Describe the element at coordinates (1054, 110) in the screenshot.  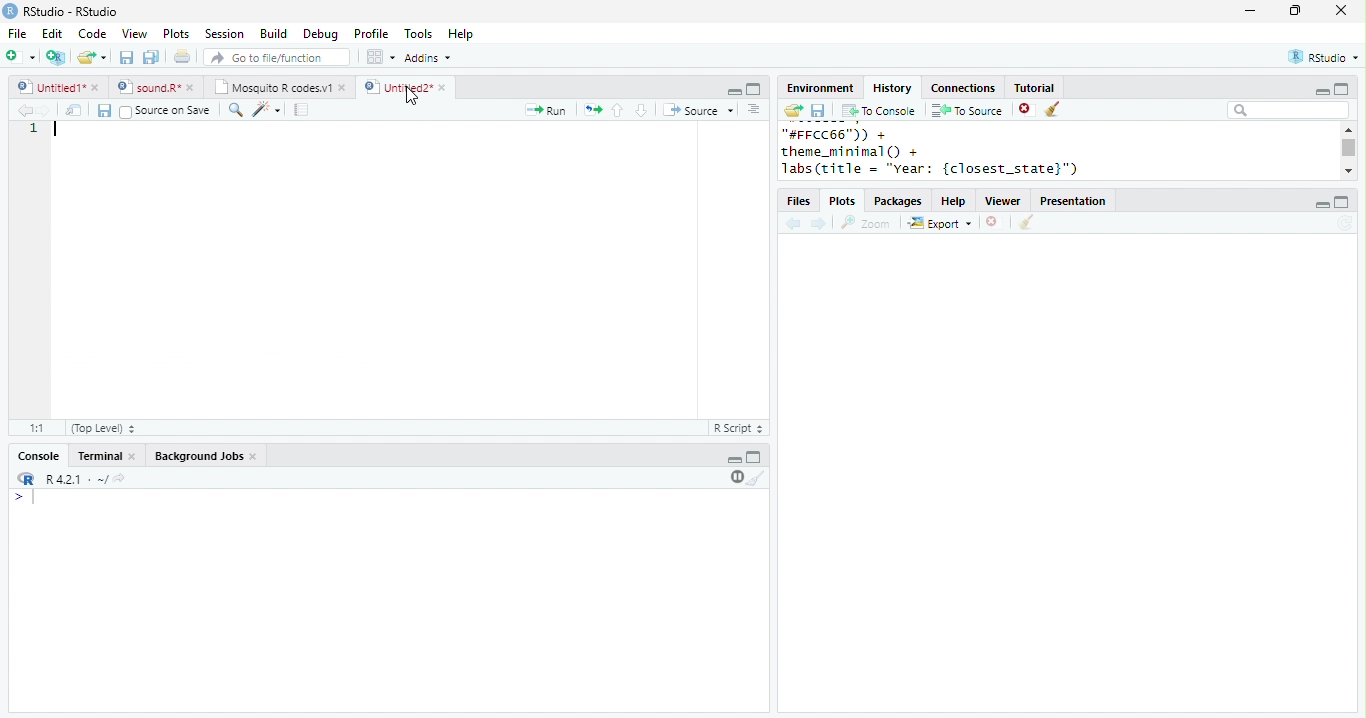
I see `clear` at that location.